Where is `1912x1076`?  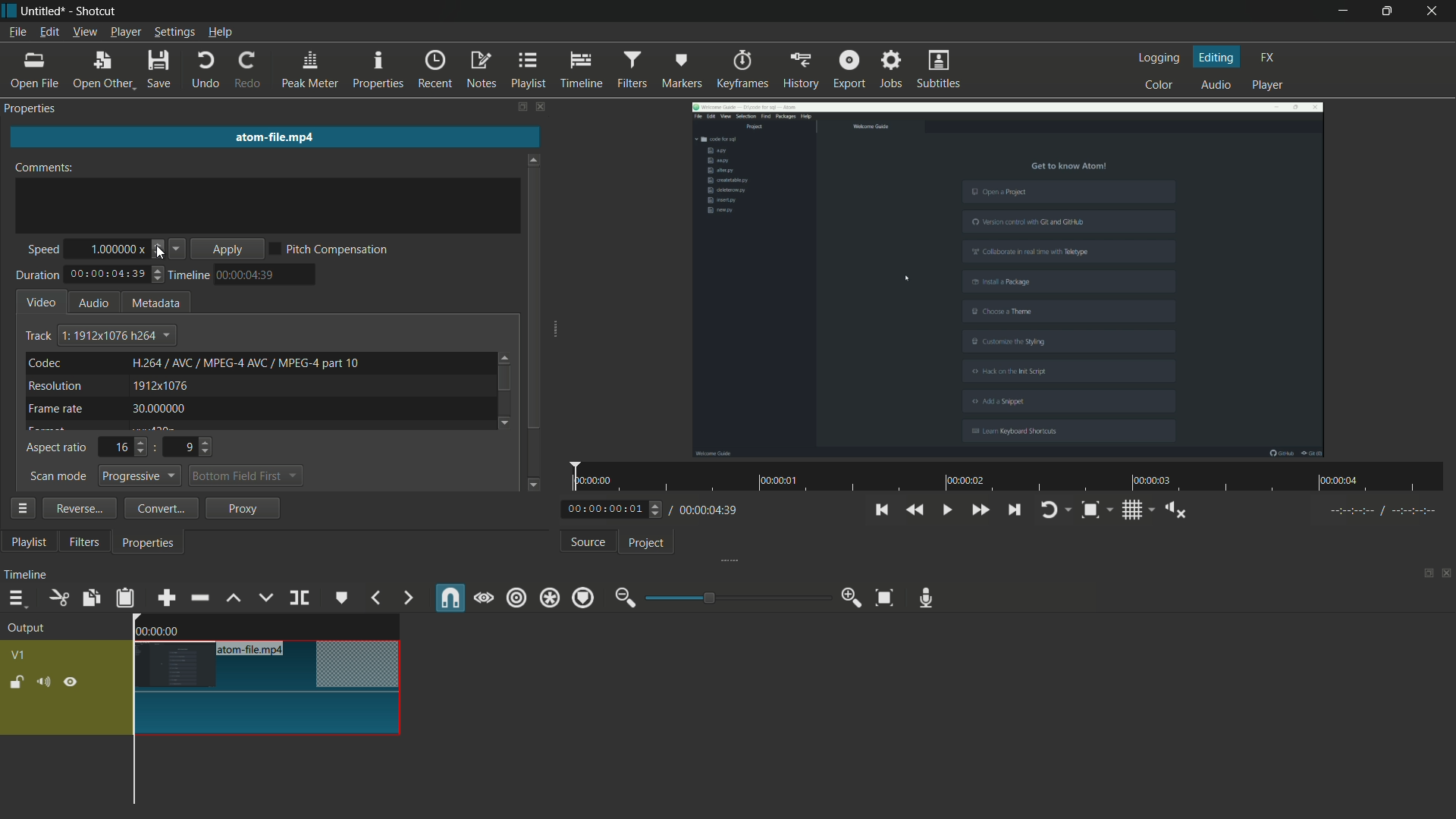
1912x1076 is located at coordinates (161, 387).